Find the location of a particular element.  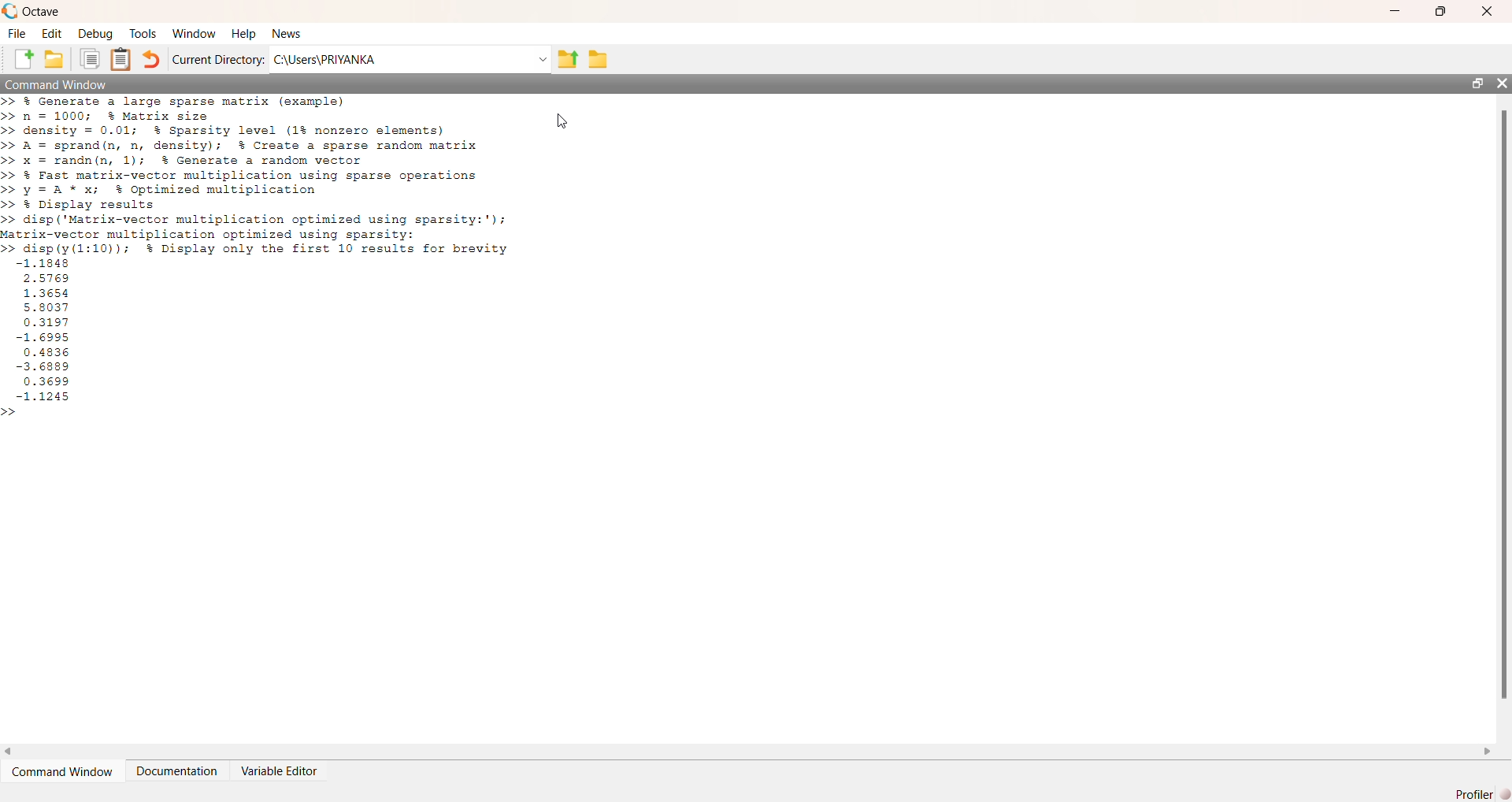

one directory up is located at coordinates (566, 59).